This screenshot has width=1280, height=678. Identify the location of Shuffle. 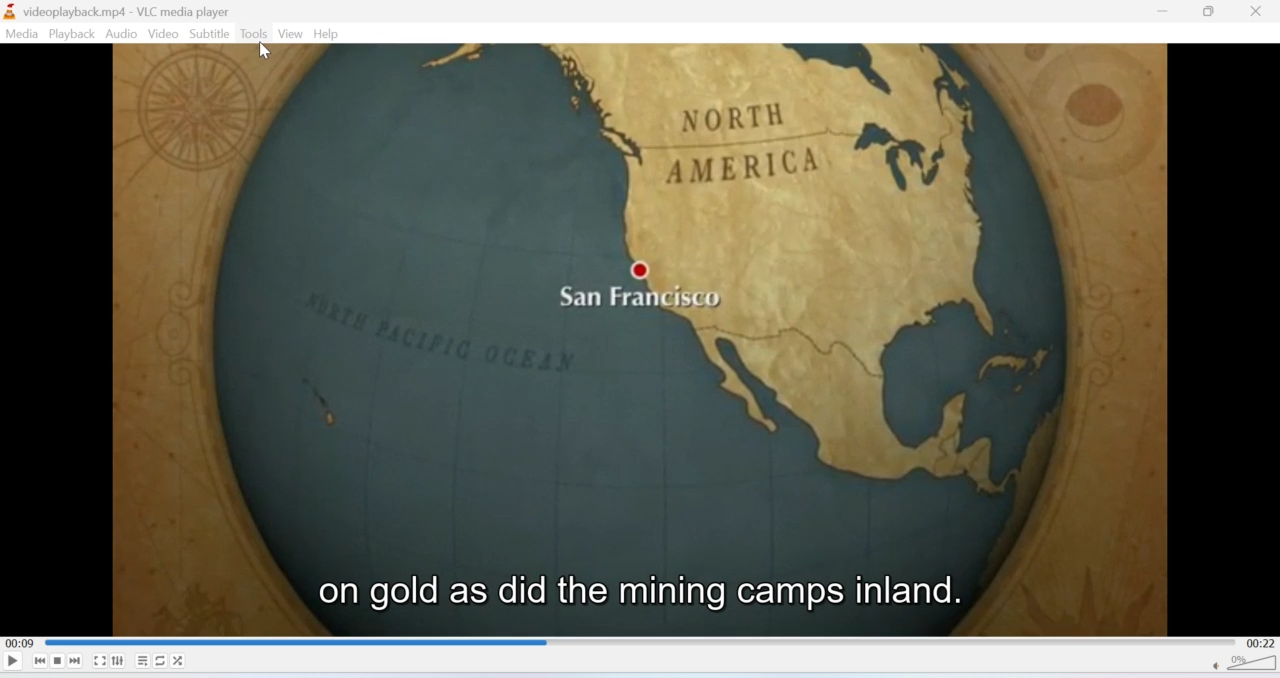
(179, 661).